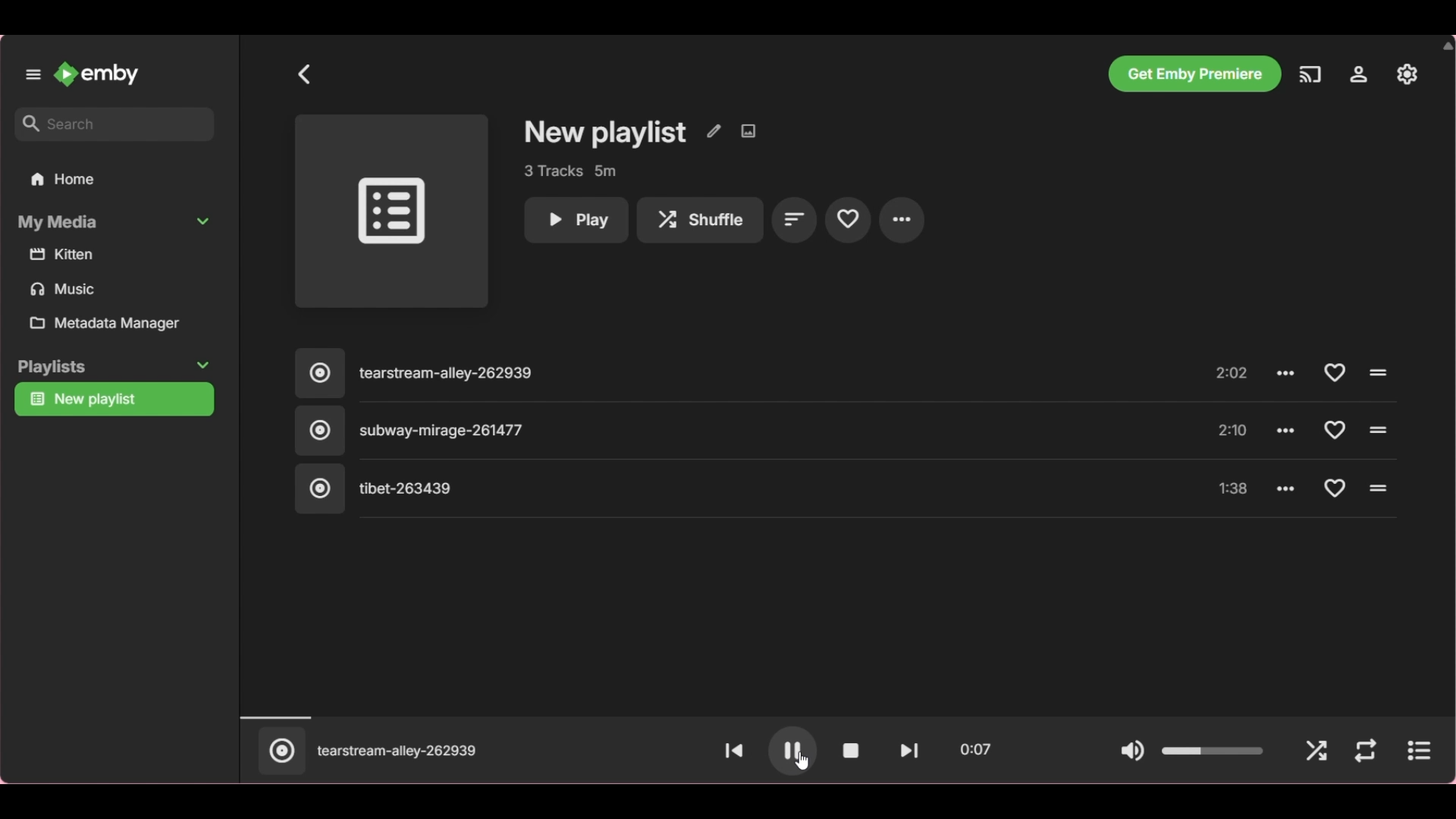  What do you see at coordinates (1316, 752) in the screenshot?
I see `Shuffle` at bounding box center [1316, 752].